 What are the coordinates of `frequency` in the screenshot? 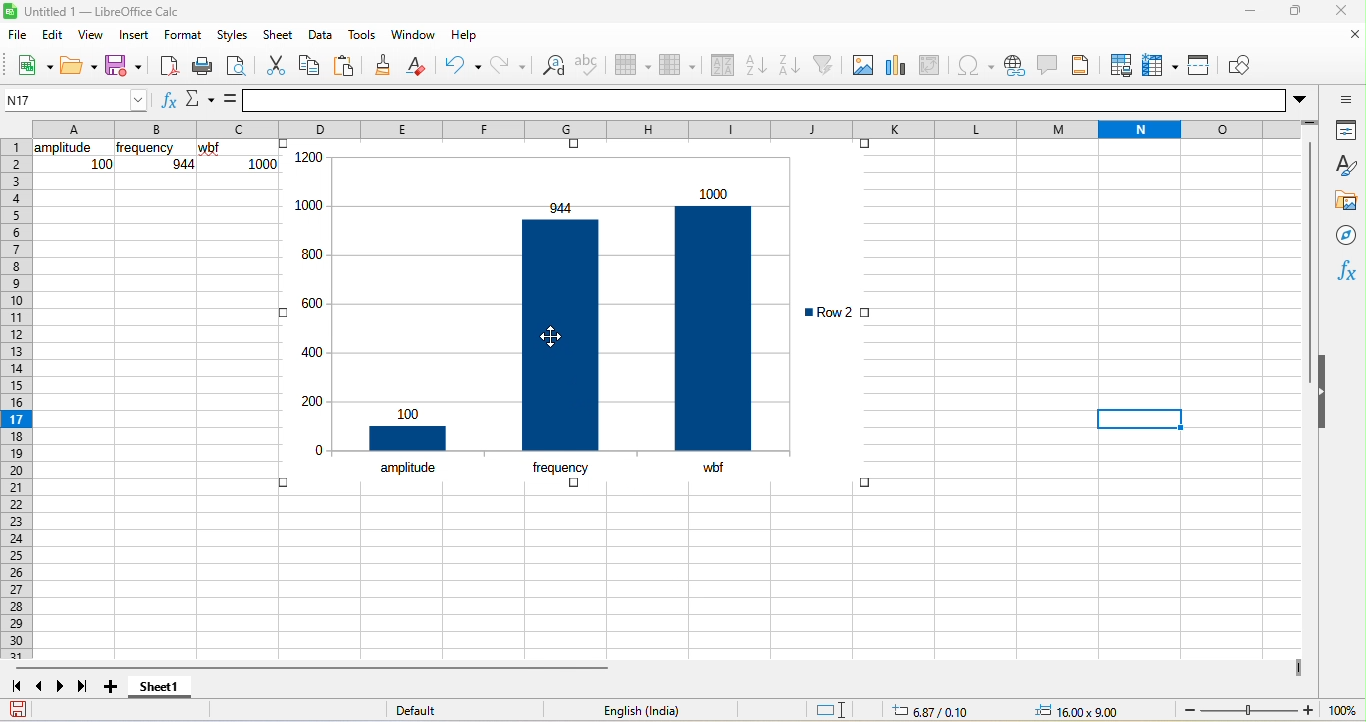 It's located at (146, 149).